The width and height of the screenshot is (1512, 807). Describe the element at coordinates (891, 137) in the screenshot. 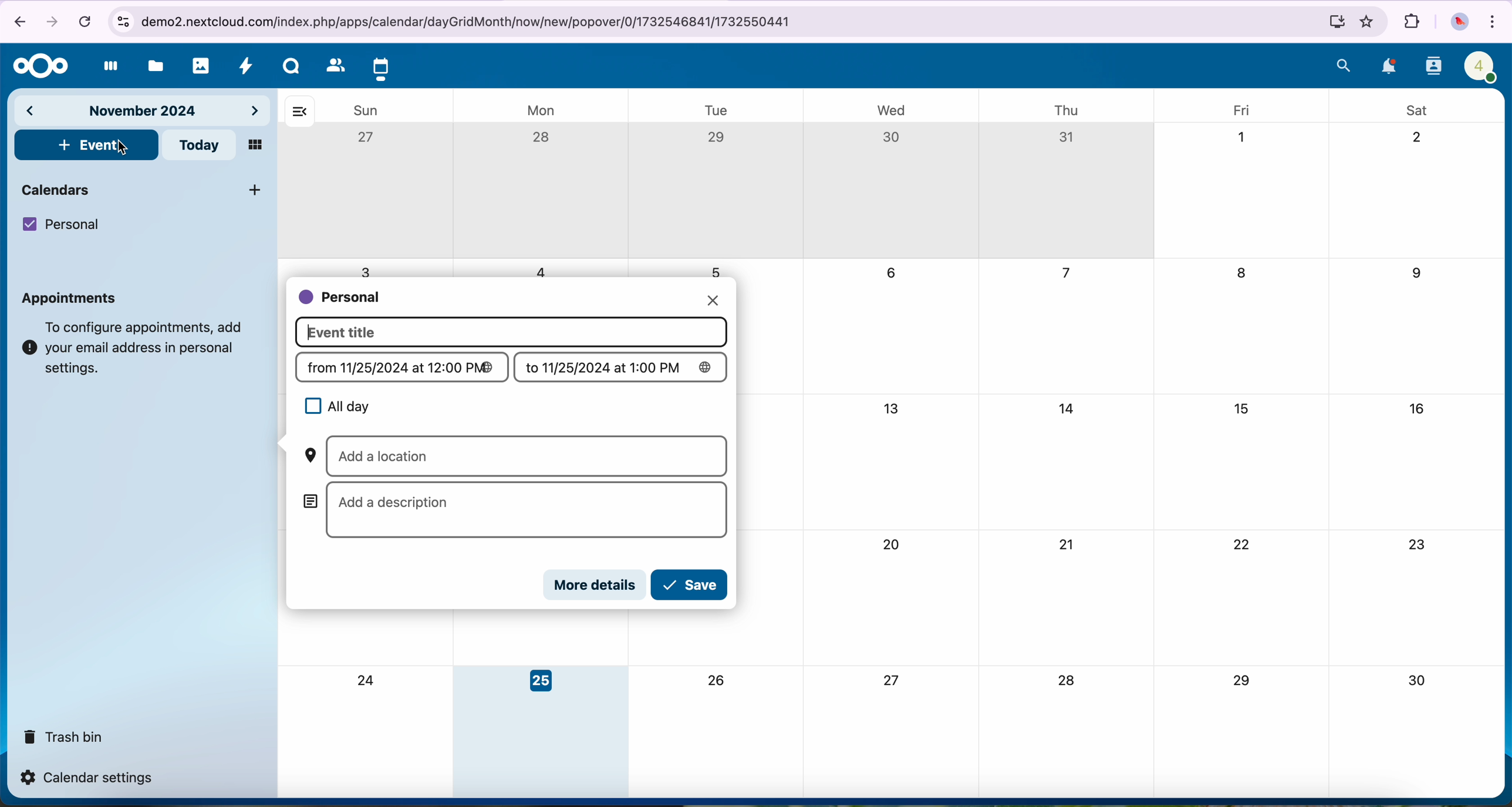

I see `30` at that location.